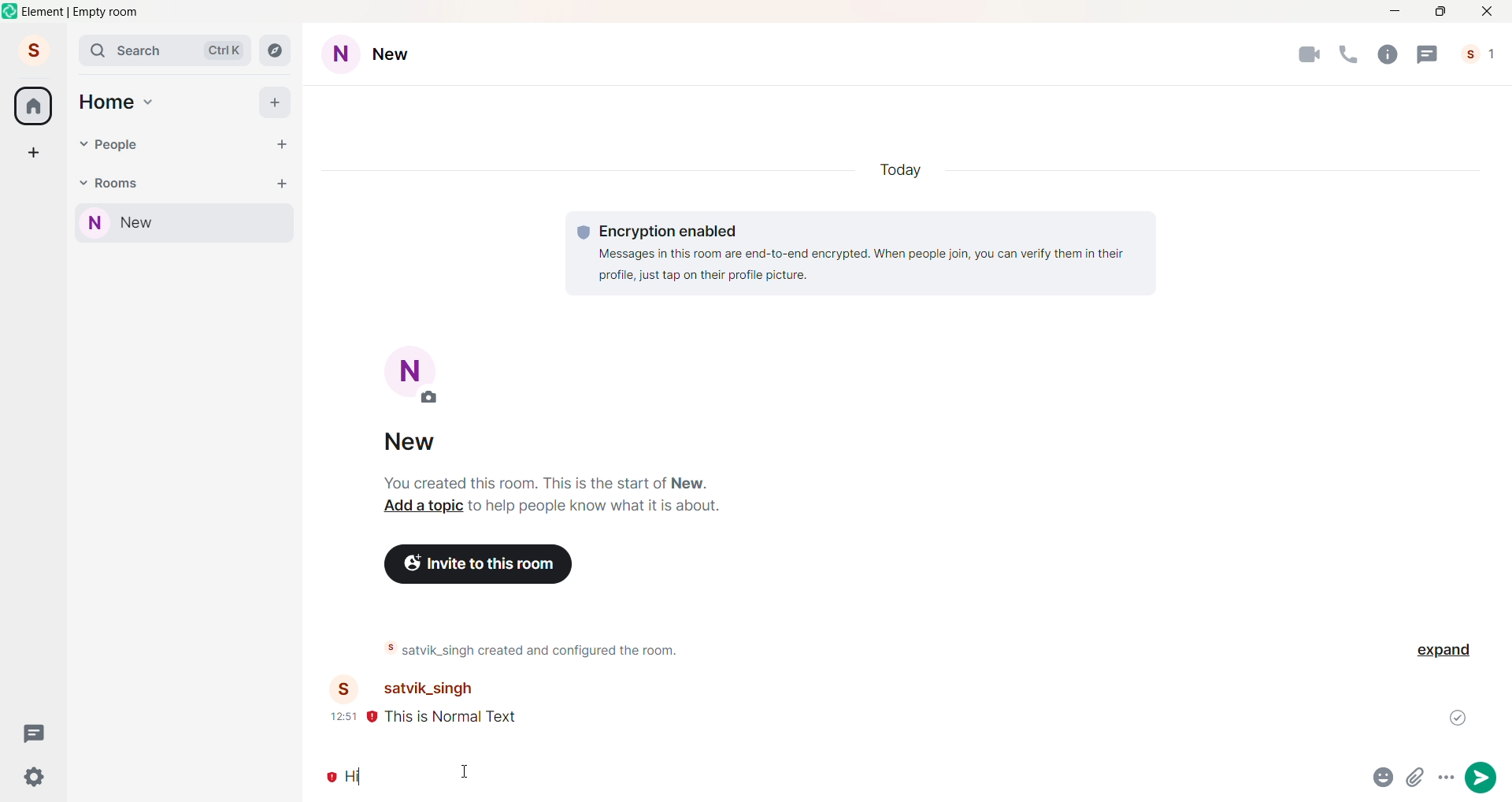 This screenshot has width=1512, height=802. What do you see at coordinates (480, 563) in the screenshot?
I see `Invite to this room` at bounding box center [480, 563].